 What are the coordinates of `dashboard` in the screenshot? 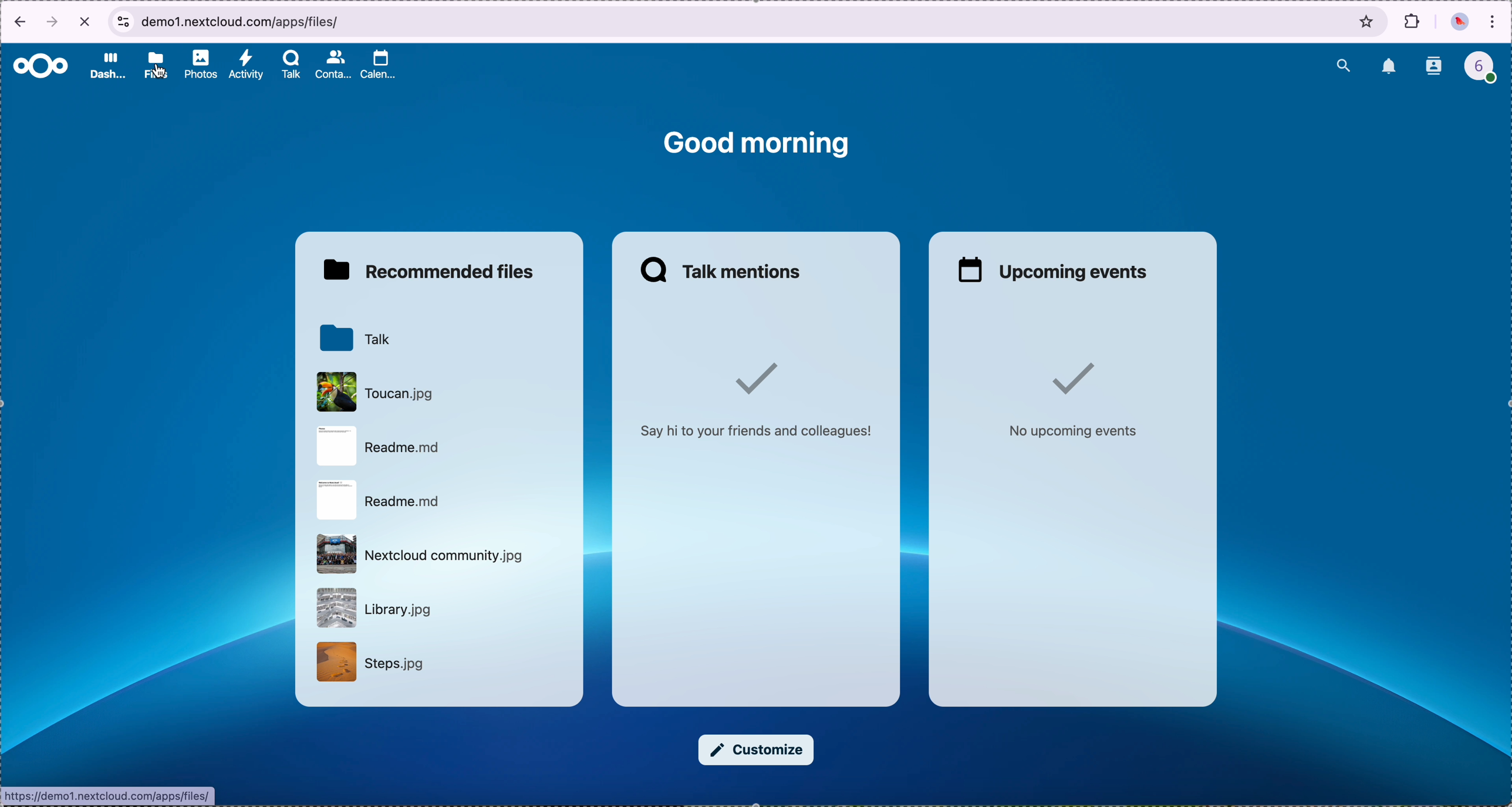 It's located at (107, 66).